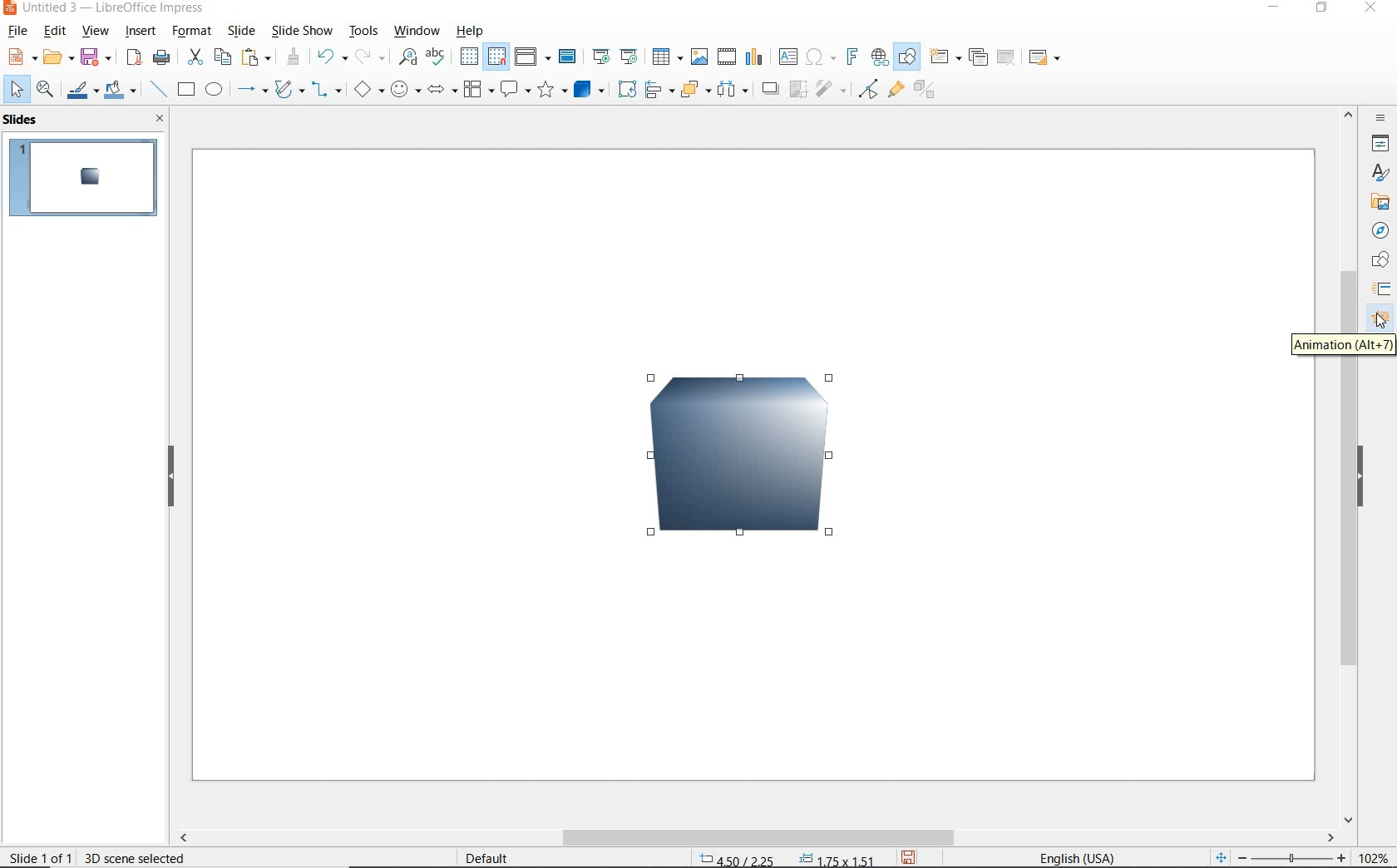  I want to click on select, so click(14, 89).